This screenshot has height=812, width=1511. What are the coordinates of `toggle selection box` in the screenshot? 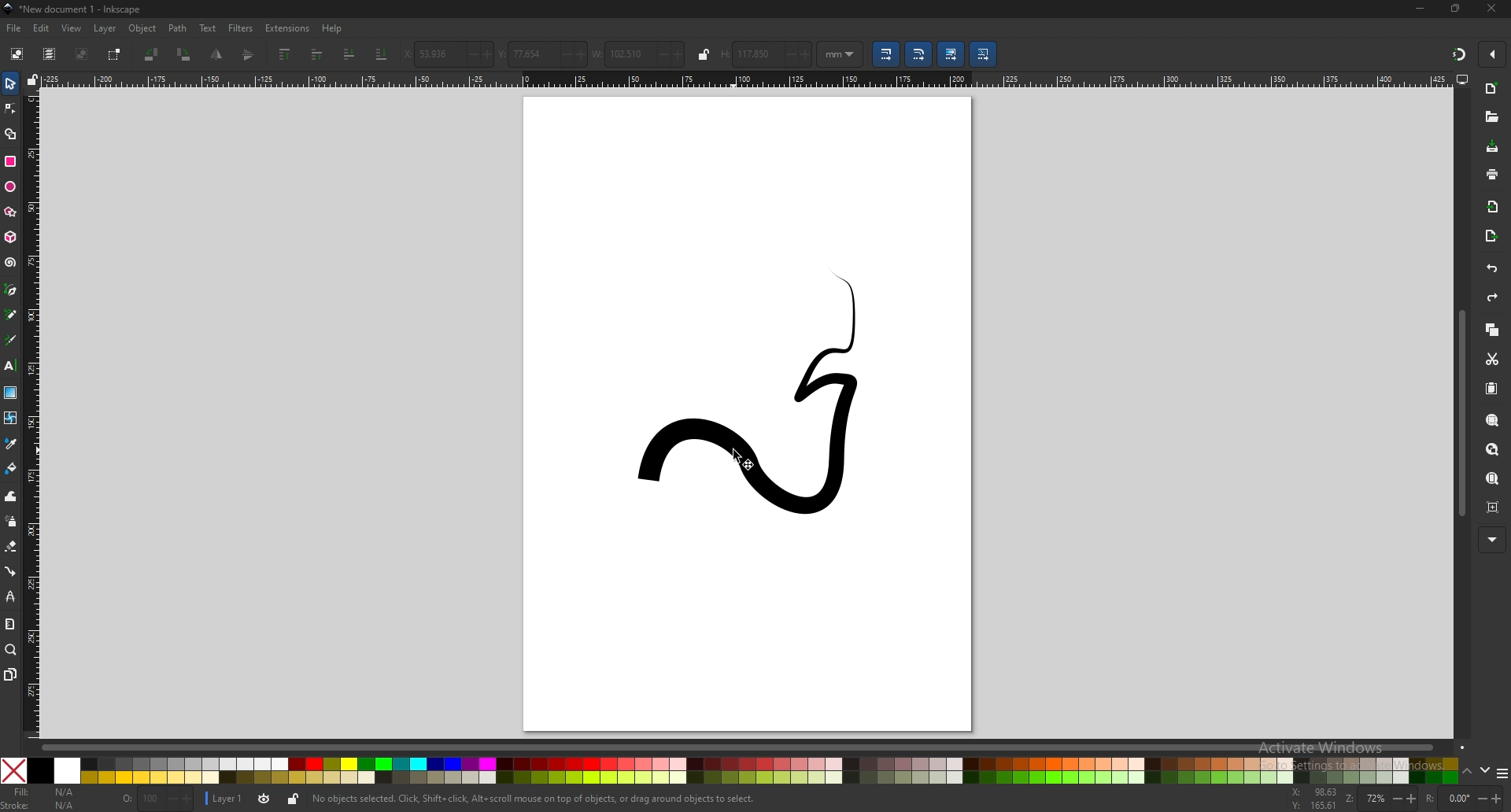 It's located at (115, 55).